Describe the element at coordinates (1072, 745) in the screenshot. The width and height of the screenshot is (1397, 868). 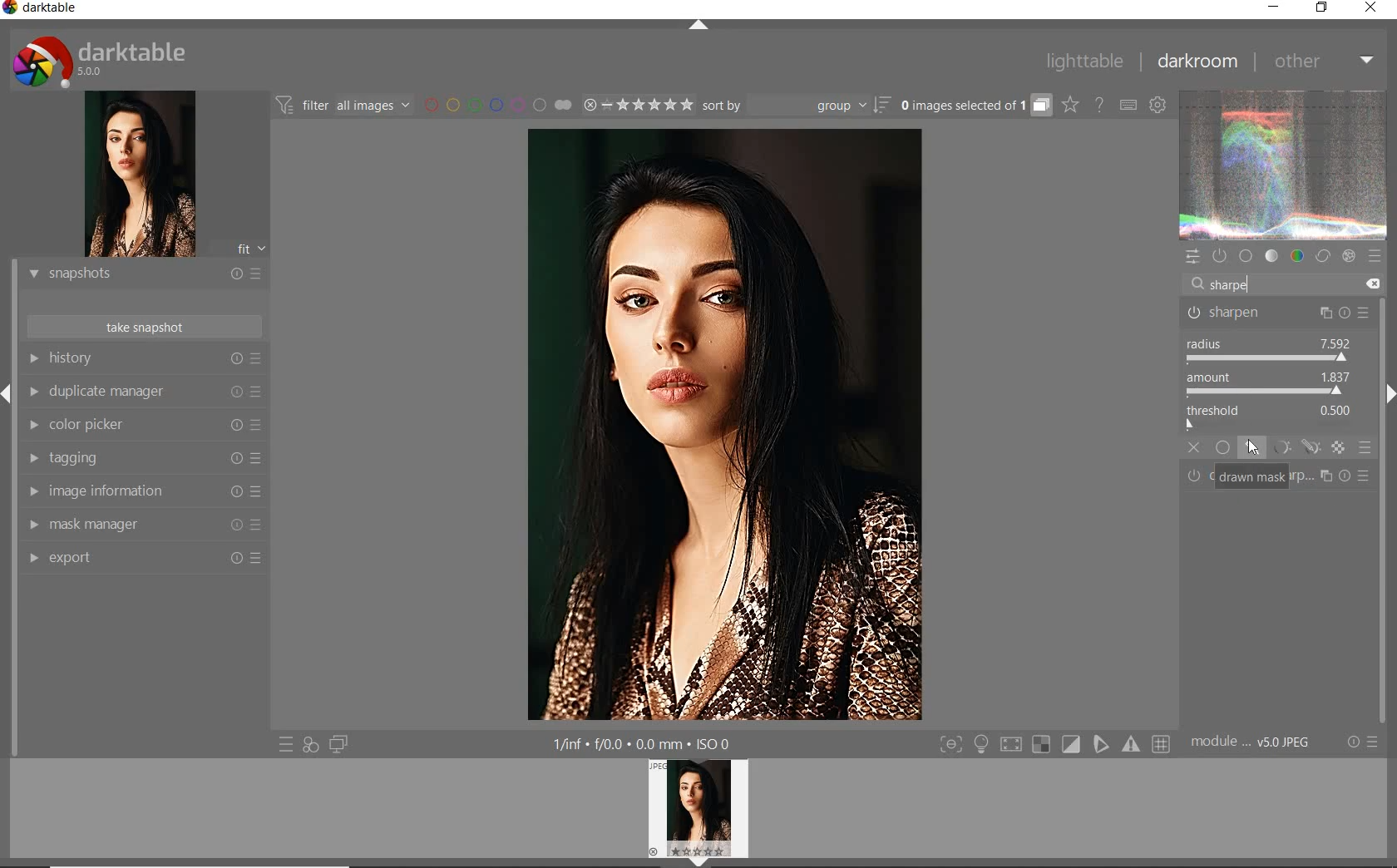
I see `sign ` at that location.